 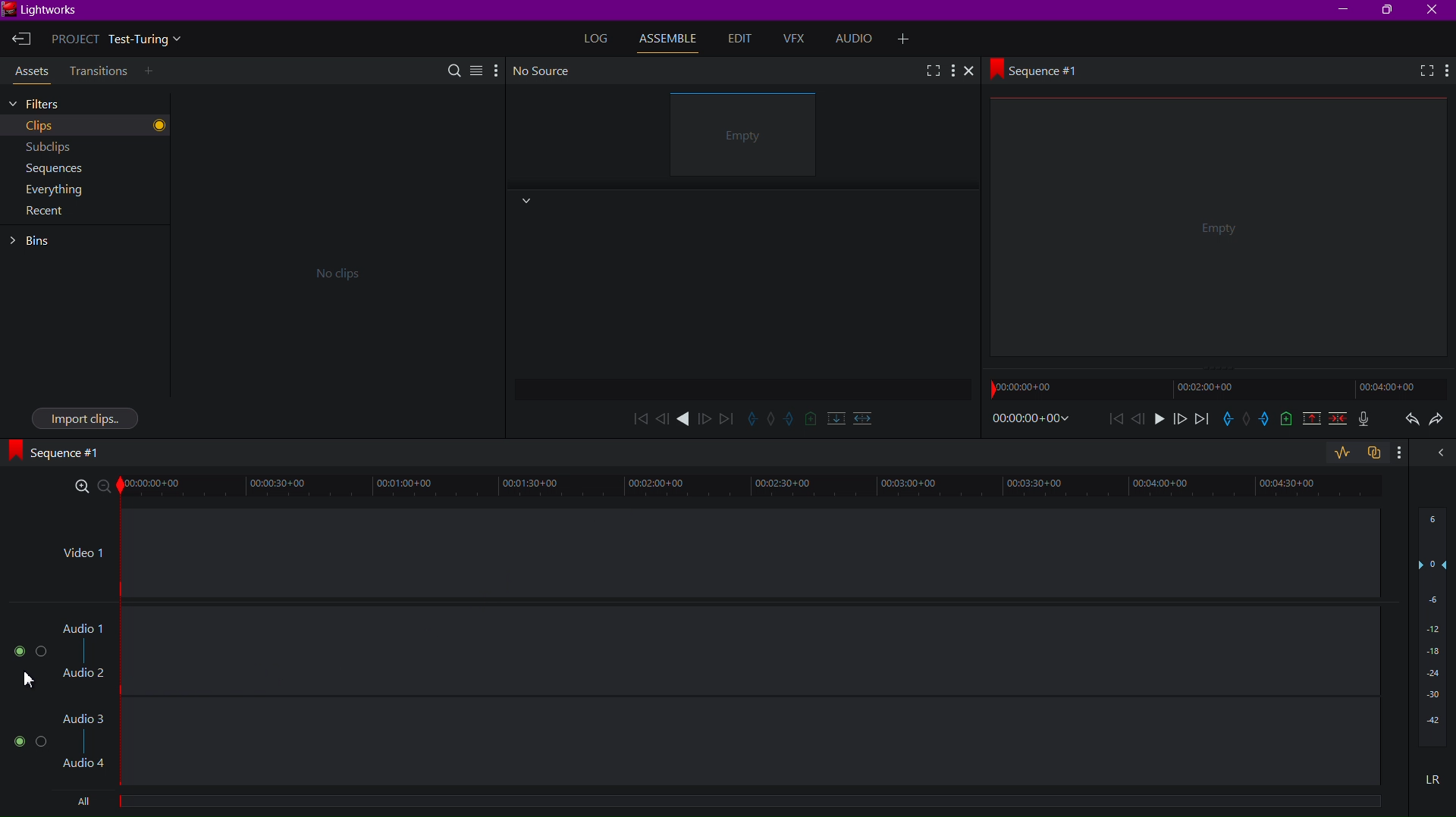 I want to click on Recent, so click(x=45, y=215).